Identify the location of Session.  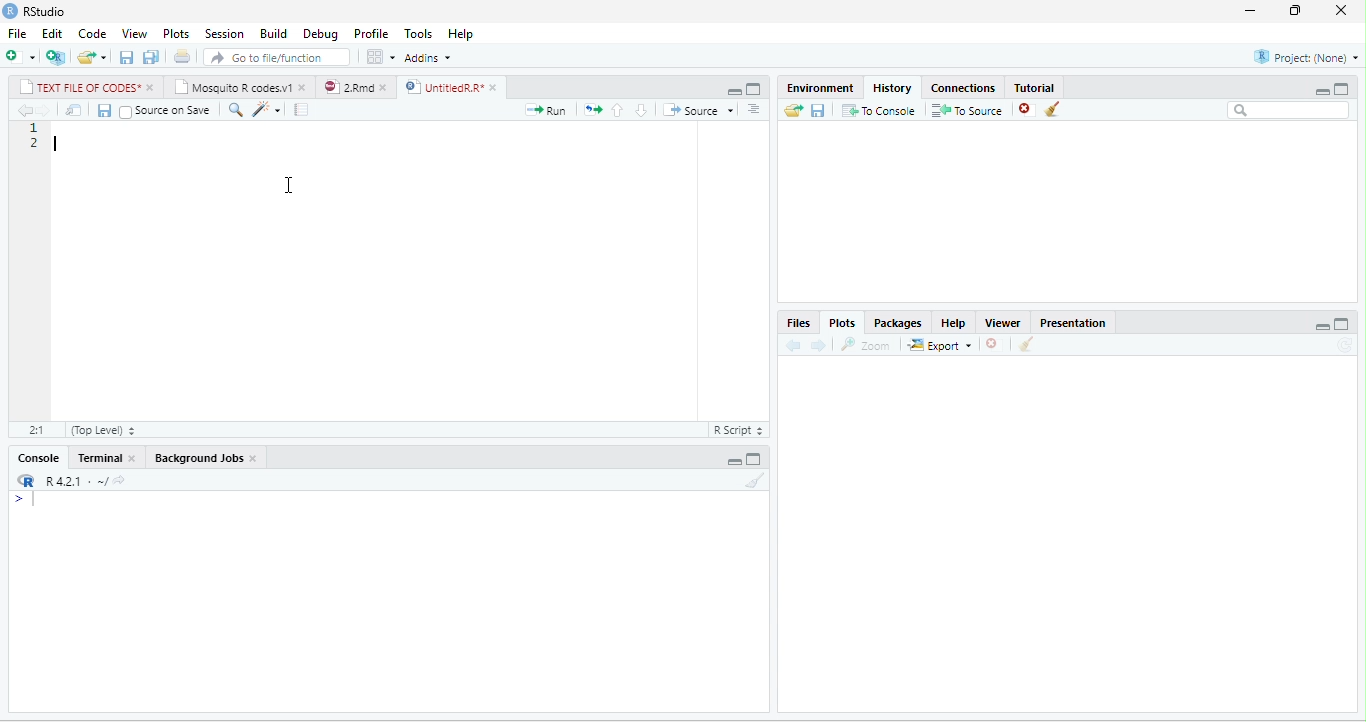
(225, 33).